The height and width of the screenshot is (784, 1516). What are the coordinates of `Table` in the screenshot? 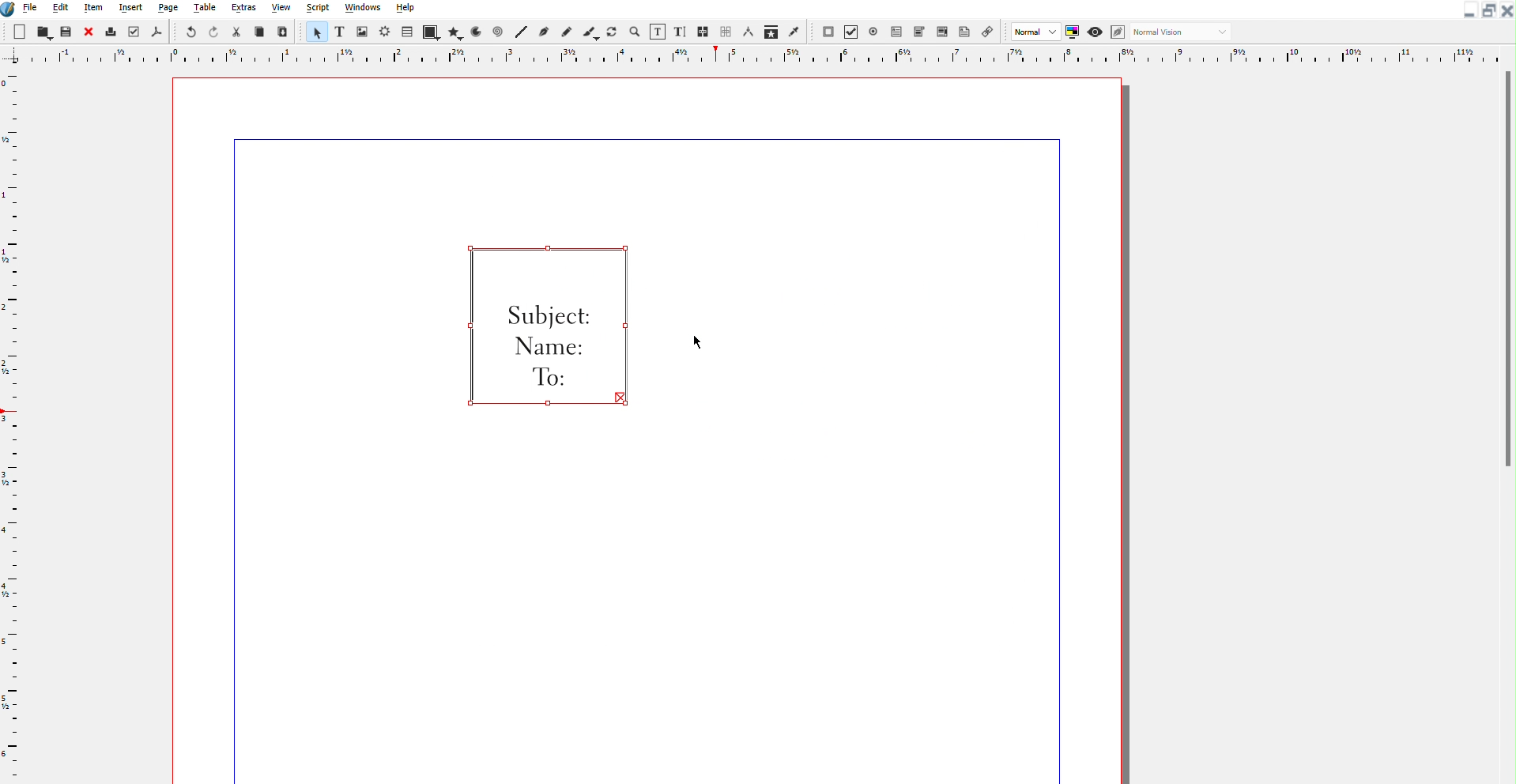 It's located at (206, 9).